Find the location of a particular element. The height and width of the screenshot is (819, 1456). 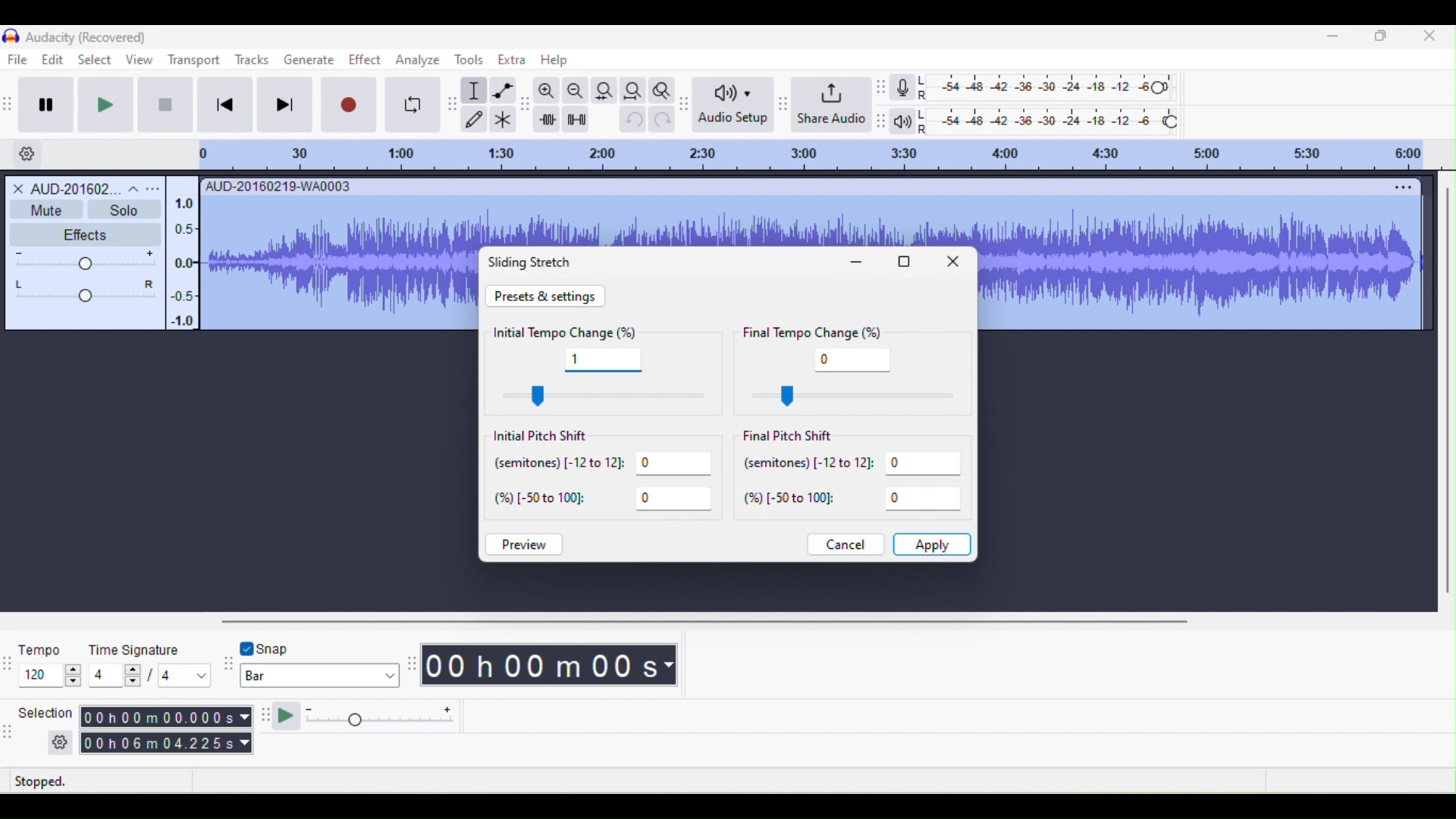

audacity time signature toolbar is located at coordinates (9, 662).